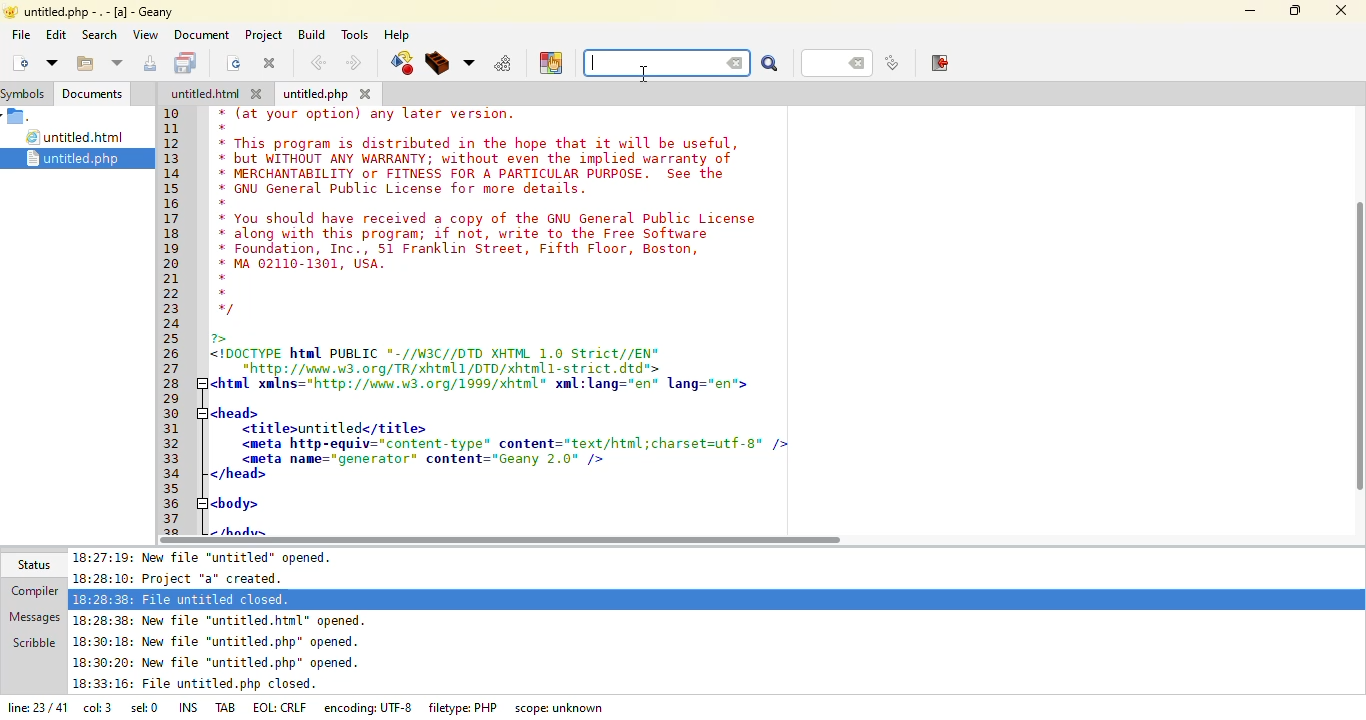 The height and width of the screenshot is (720, 1366). What do you see at coordinates (372, 707) in the screenshot?
I see `encoding: utf-8` at bounding box center [372, 707].